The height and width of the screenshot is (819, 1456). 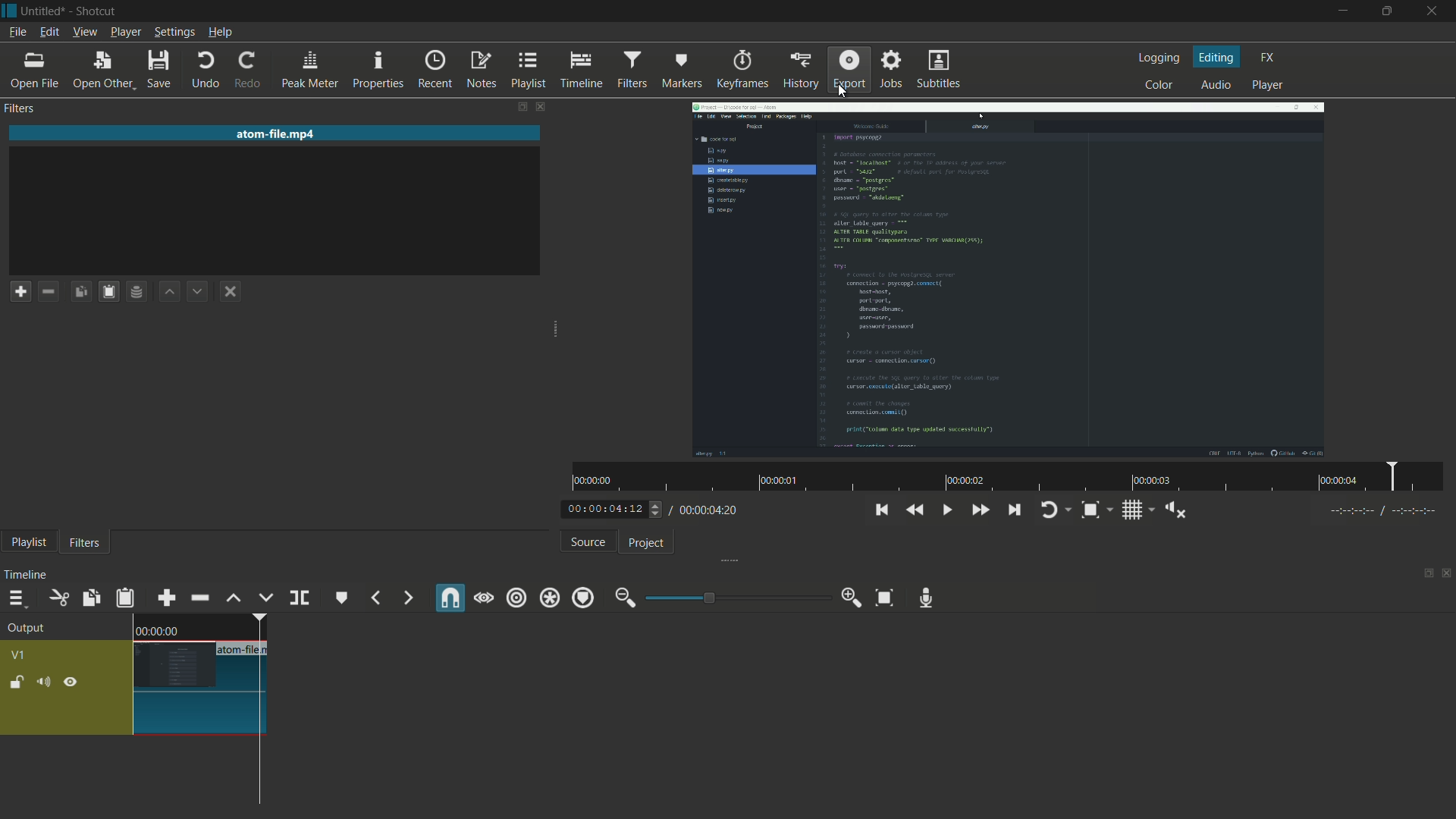 What do you see at coordinates (657, 509) in the screenshot?
I see `rewind/fast forward` at bounding box center [657, 509].